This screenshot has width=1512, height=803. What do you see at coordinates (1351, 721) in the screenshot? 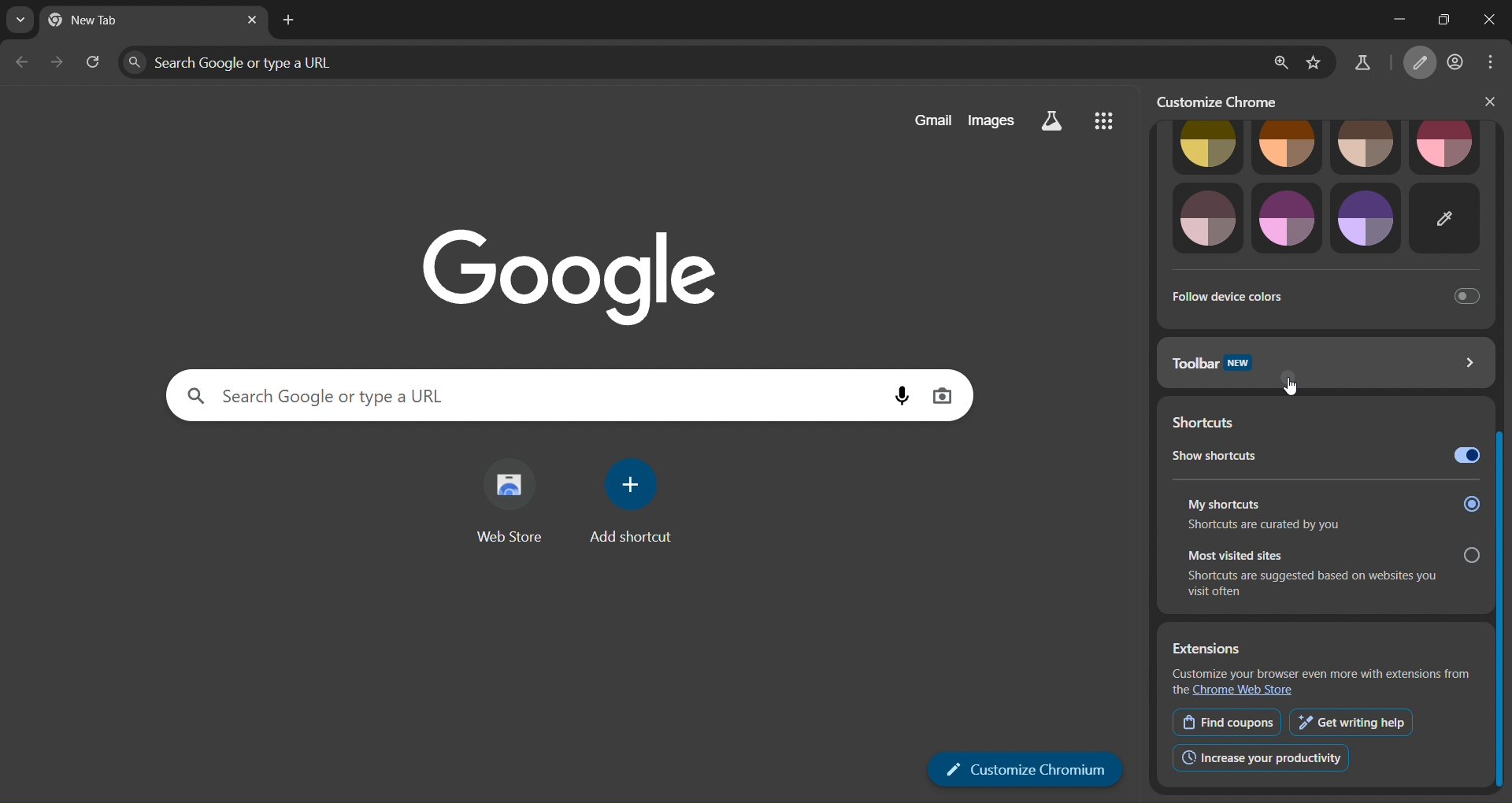
I see `get writing help` at bounding box center [1351, 721].